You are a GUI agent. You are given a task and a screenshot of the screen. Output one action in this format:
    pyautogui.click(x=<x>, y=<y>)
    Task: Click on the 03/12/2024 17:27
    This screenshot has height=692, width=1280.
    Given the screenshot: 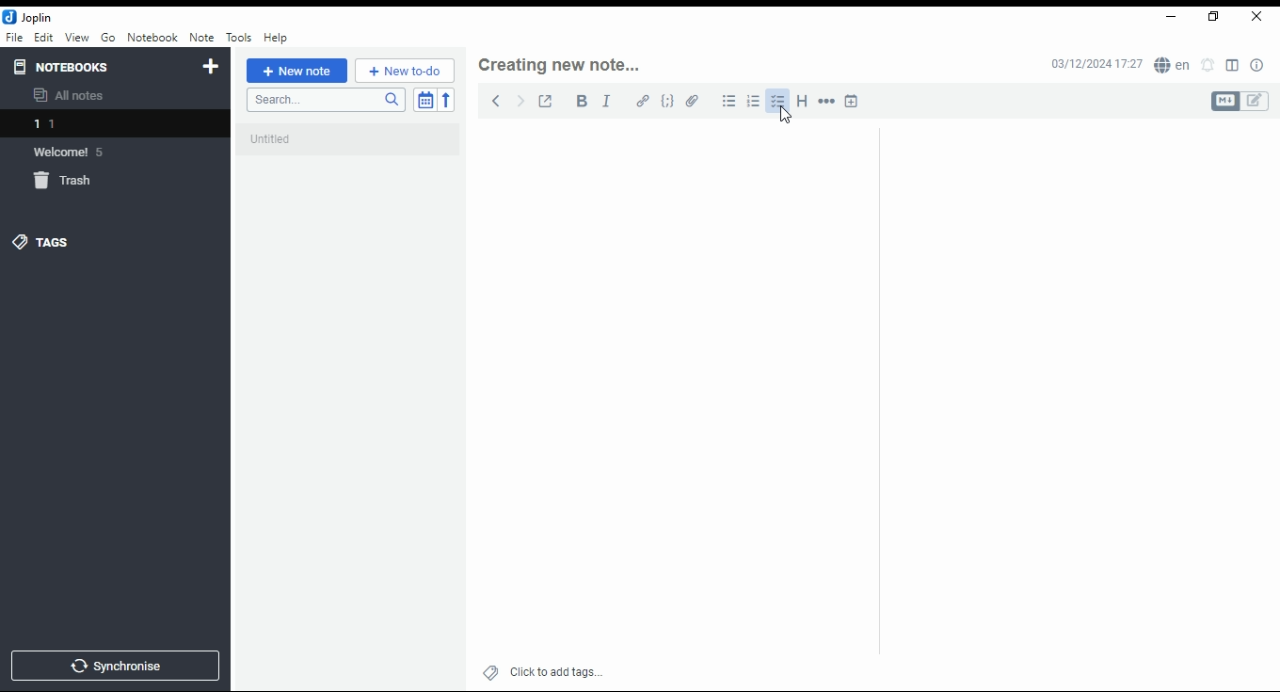 What is the action you would take?
    pyautogui.click(x=1096, y=64)
    